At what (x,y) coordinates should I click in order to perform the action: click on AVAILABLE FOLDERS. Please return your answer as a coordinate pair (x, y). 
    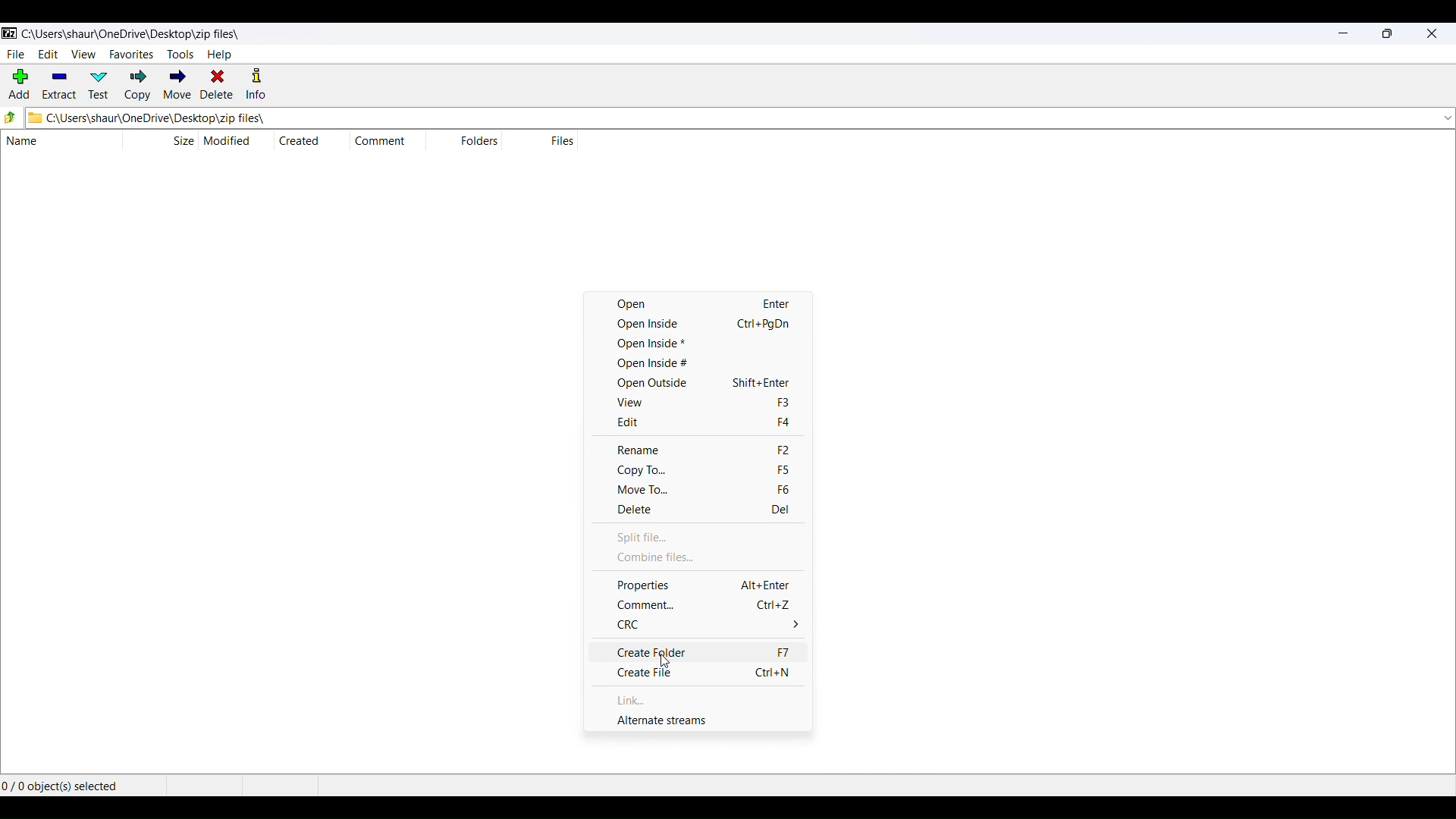
    Looking at the image, I should click on (1445, 118).